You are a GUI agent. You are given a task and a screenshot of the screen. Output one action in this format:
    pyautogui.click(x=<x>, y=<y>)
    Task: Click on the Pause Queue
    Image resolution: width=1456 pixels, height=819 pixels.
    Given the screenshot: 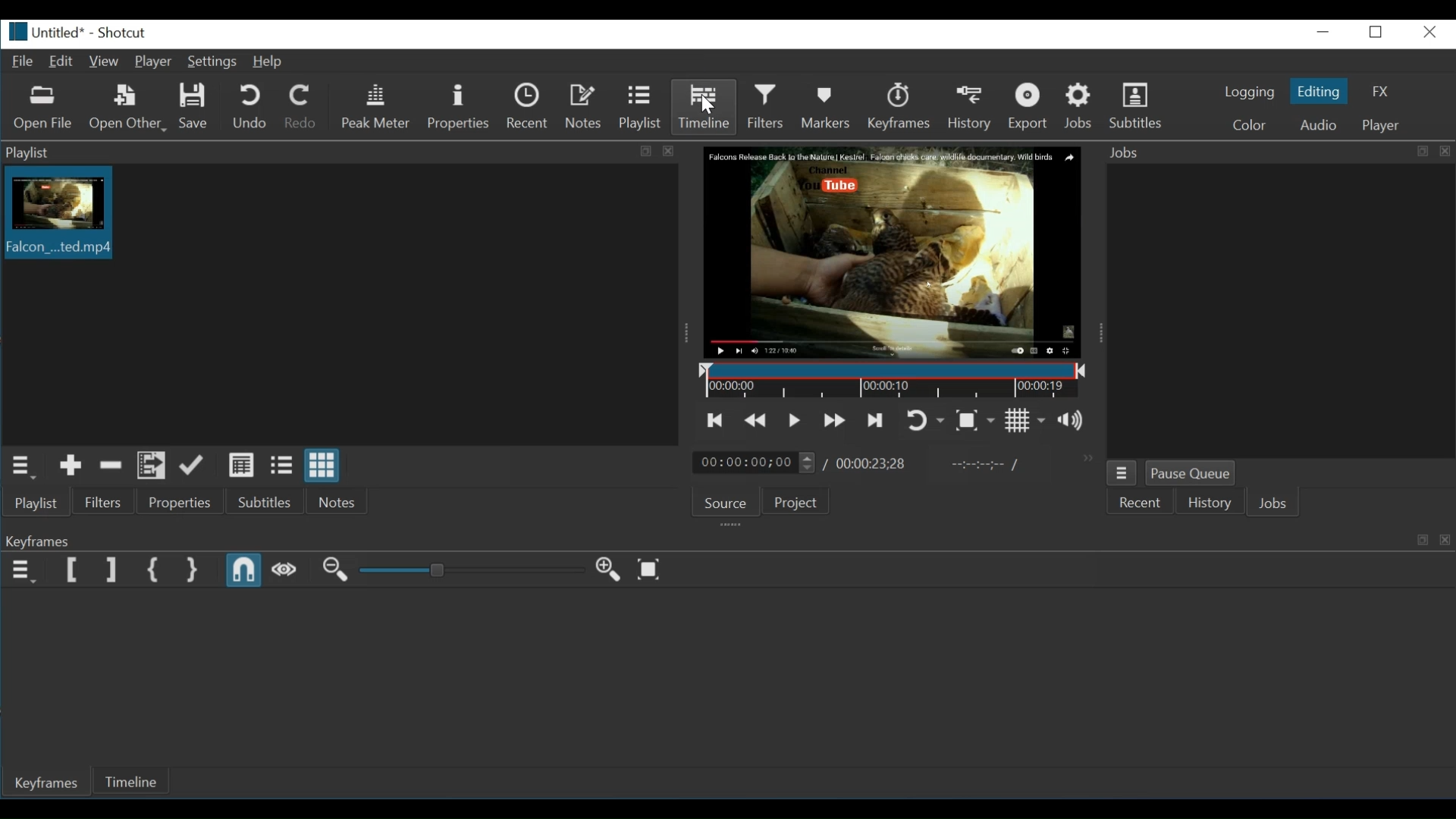 What is the action you would take?
    pyautogui.click(x=1190, y=474)
    